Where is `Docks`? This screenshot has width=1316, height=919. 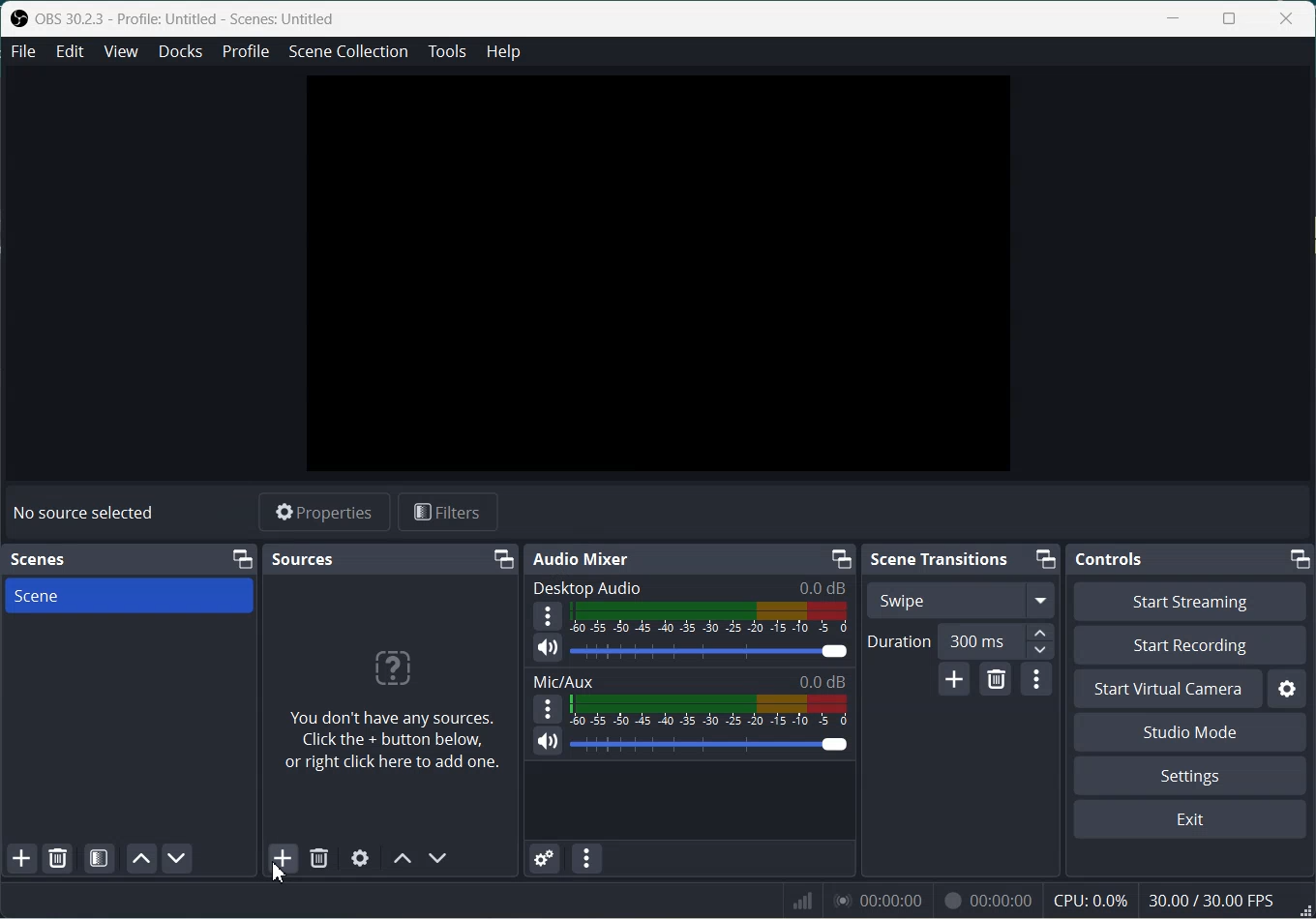 Docks is located at coordinates (181, 51).